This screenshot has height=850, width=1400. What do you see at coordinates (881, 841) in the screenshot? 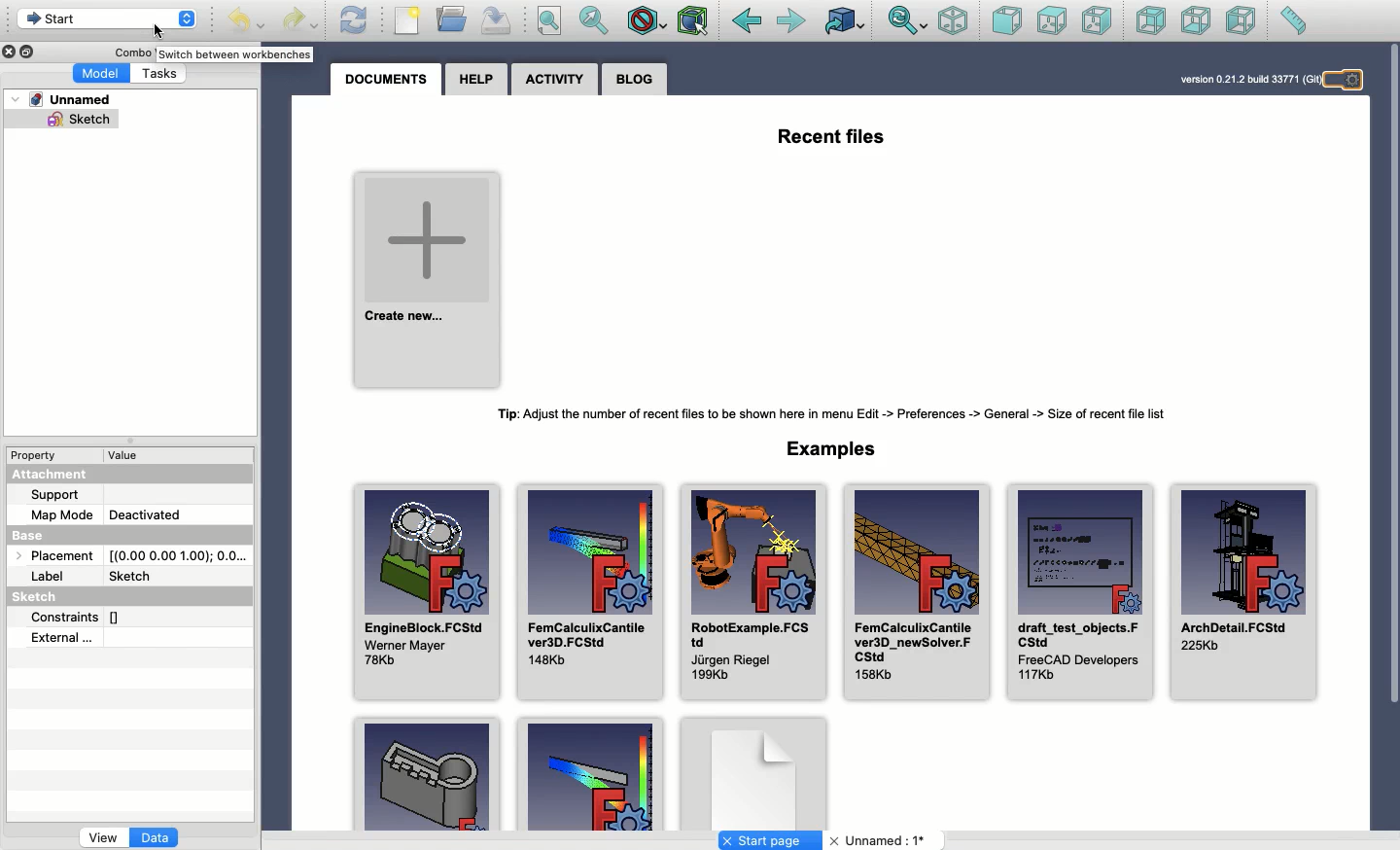
I see `Unnamed` at bounding box center [881, 841].